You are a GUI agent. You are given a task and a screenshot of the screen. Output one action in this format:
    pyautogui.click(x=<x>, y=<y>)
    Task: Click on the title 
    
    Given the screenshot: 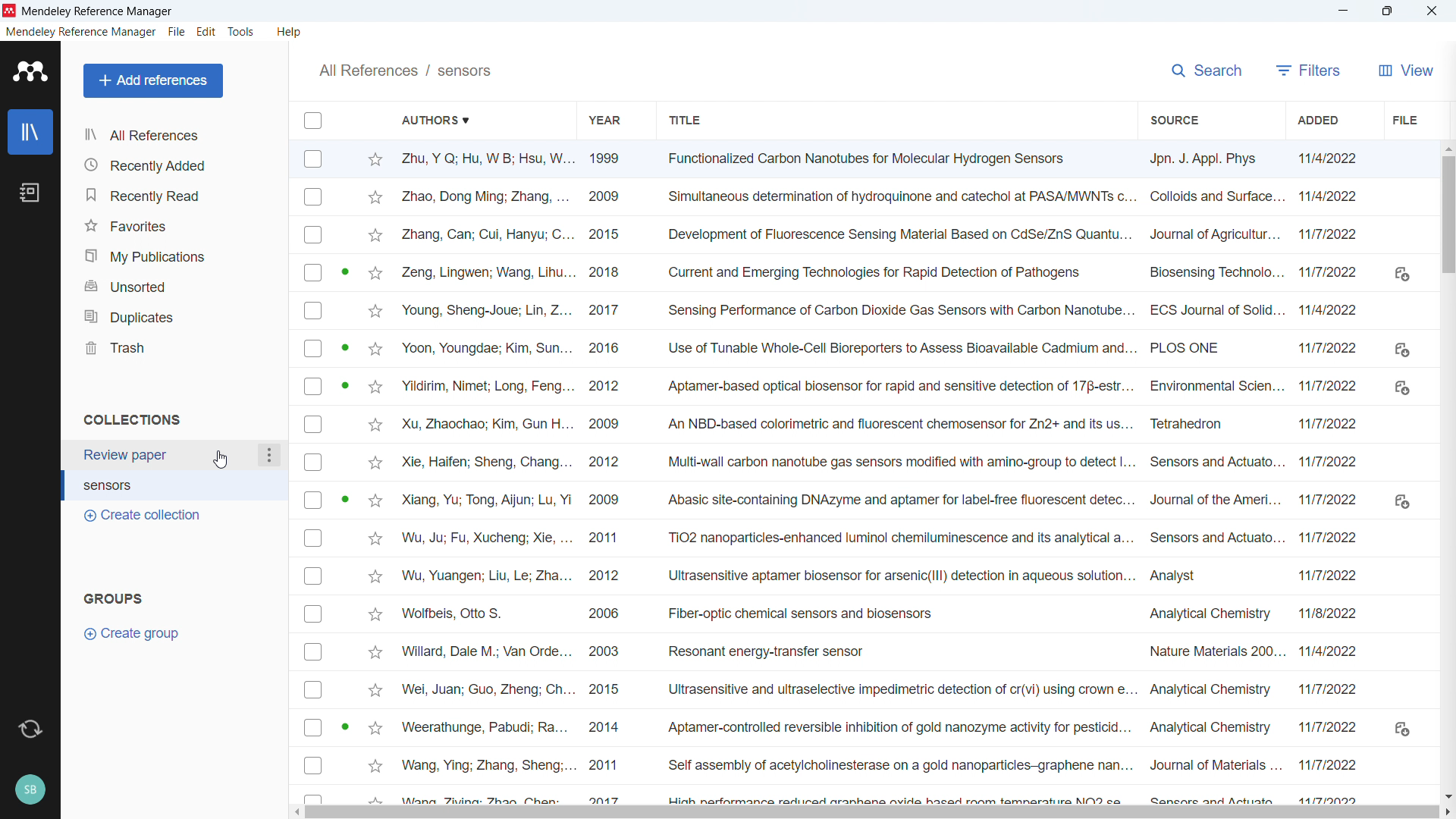 What is the action you would take?
    pyautogui.click(x=98, y=11)
    